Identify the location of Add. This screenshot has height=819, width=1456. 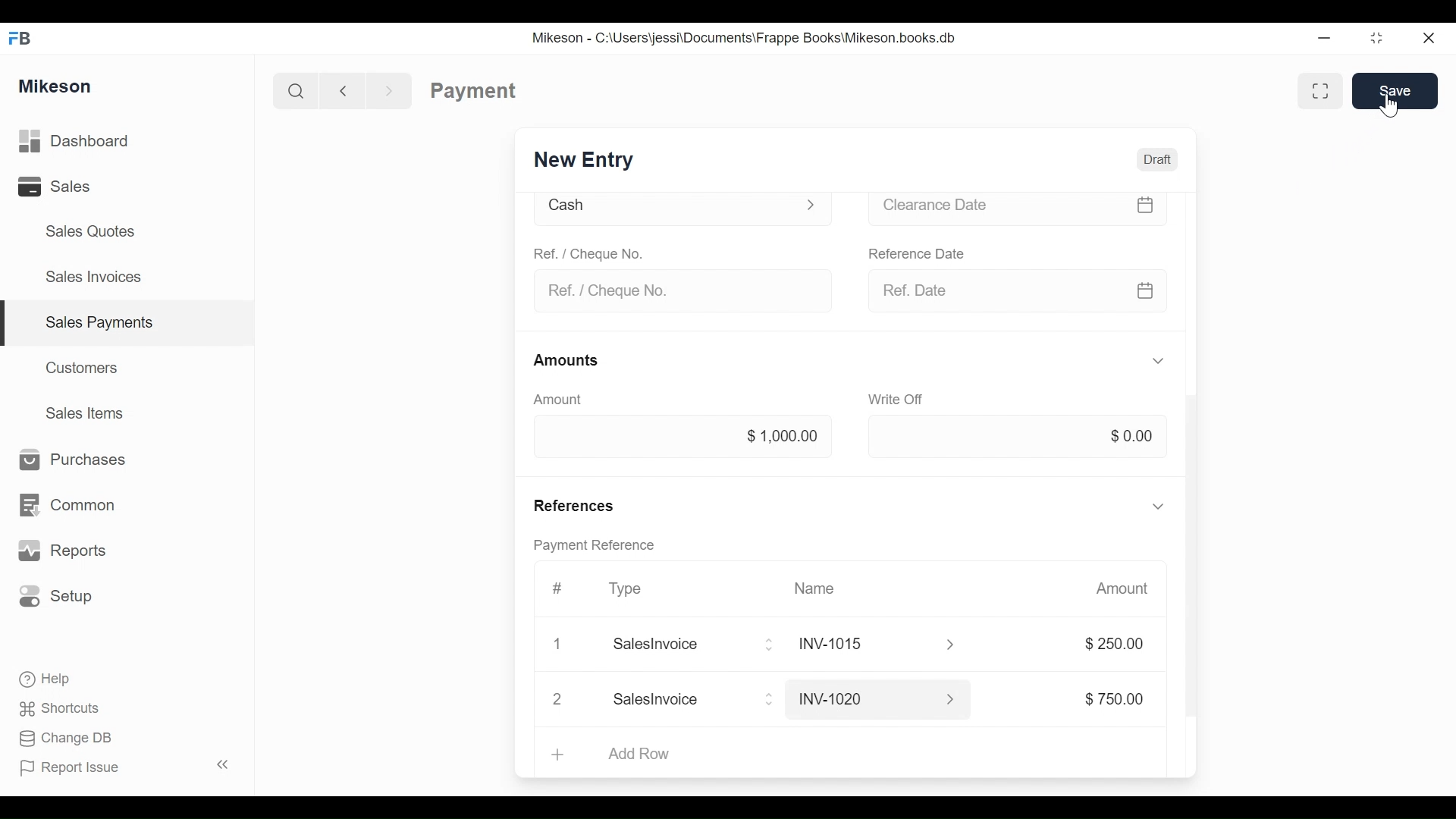
(554, 752).